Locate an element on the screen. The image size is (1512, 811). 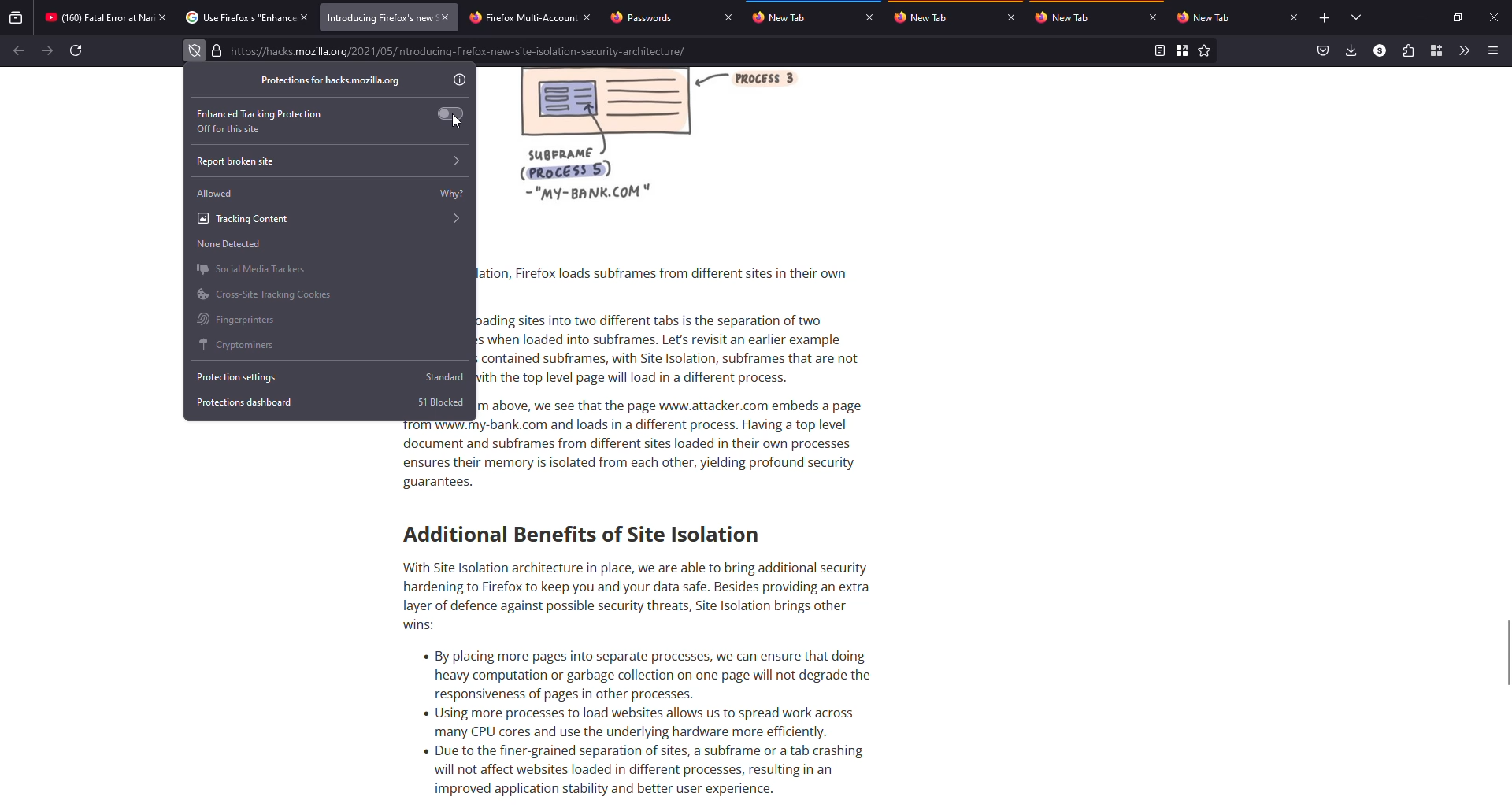
forward is located at coordinates (47, 50).